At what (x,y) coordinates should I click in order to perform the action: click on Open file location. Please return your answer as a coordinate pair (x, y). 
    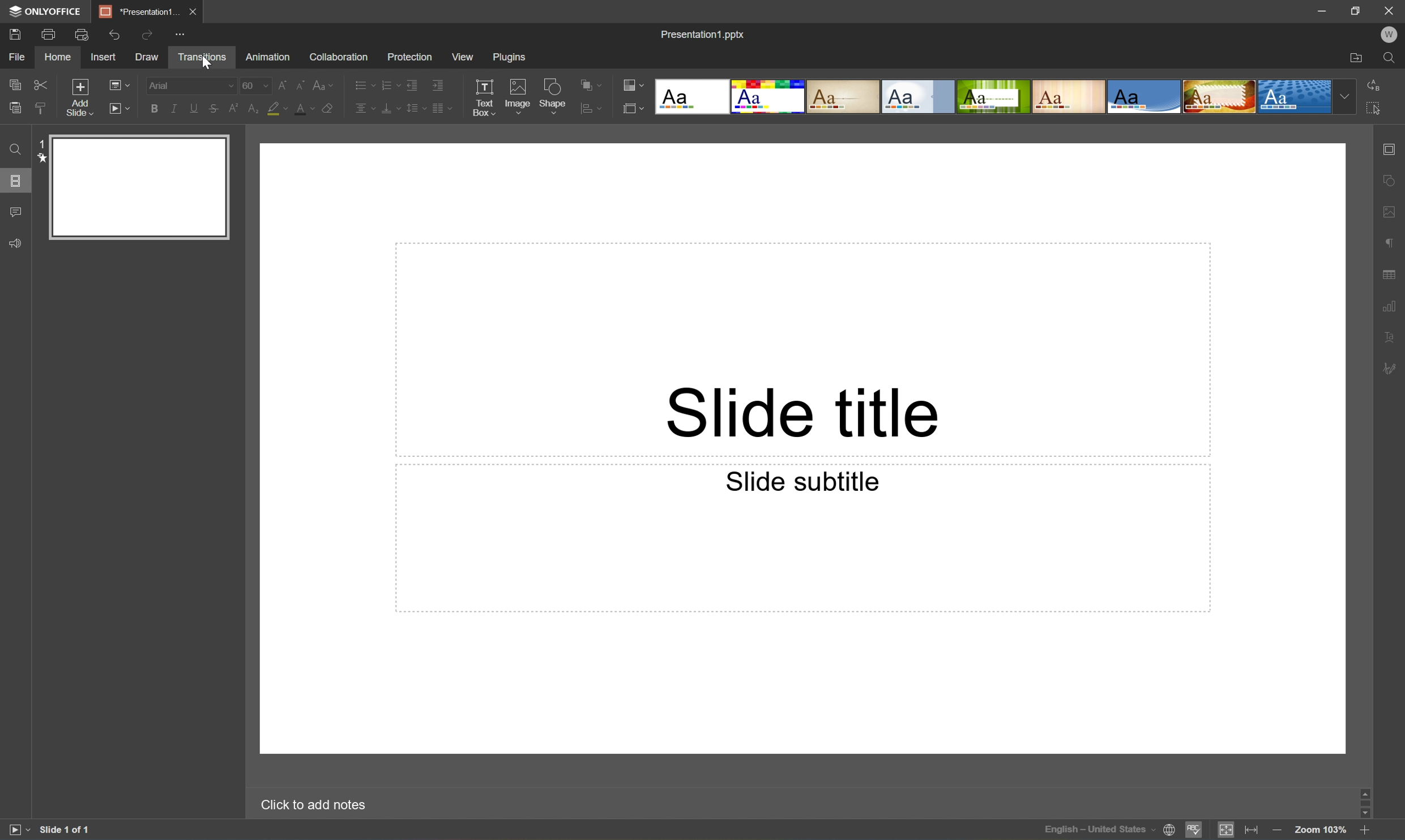
    Looking at the image, I should click on (1357, 58).